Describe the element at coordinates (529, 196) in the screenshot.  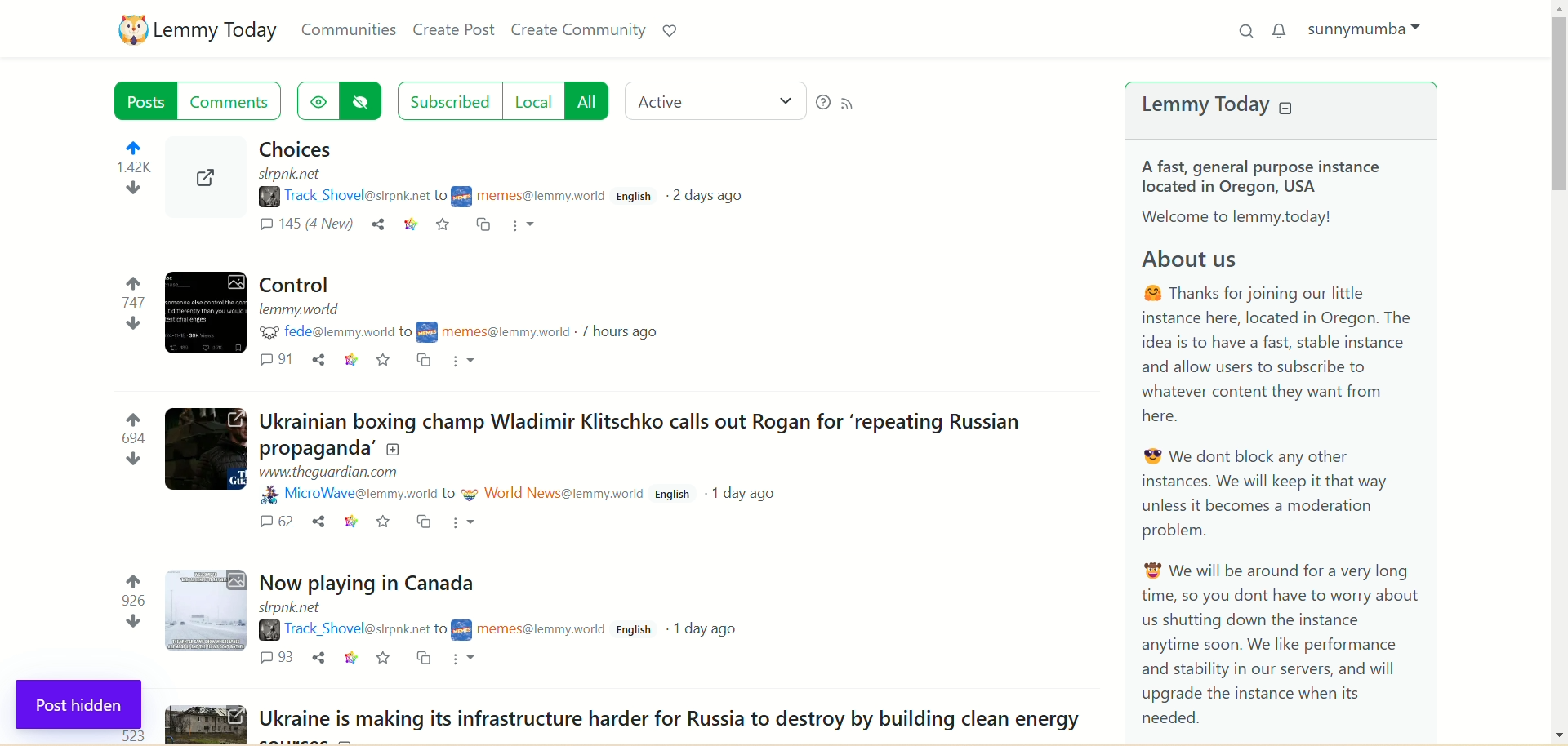
I see `More description` at that location.